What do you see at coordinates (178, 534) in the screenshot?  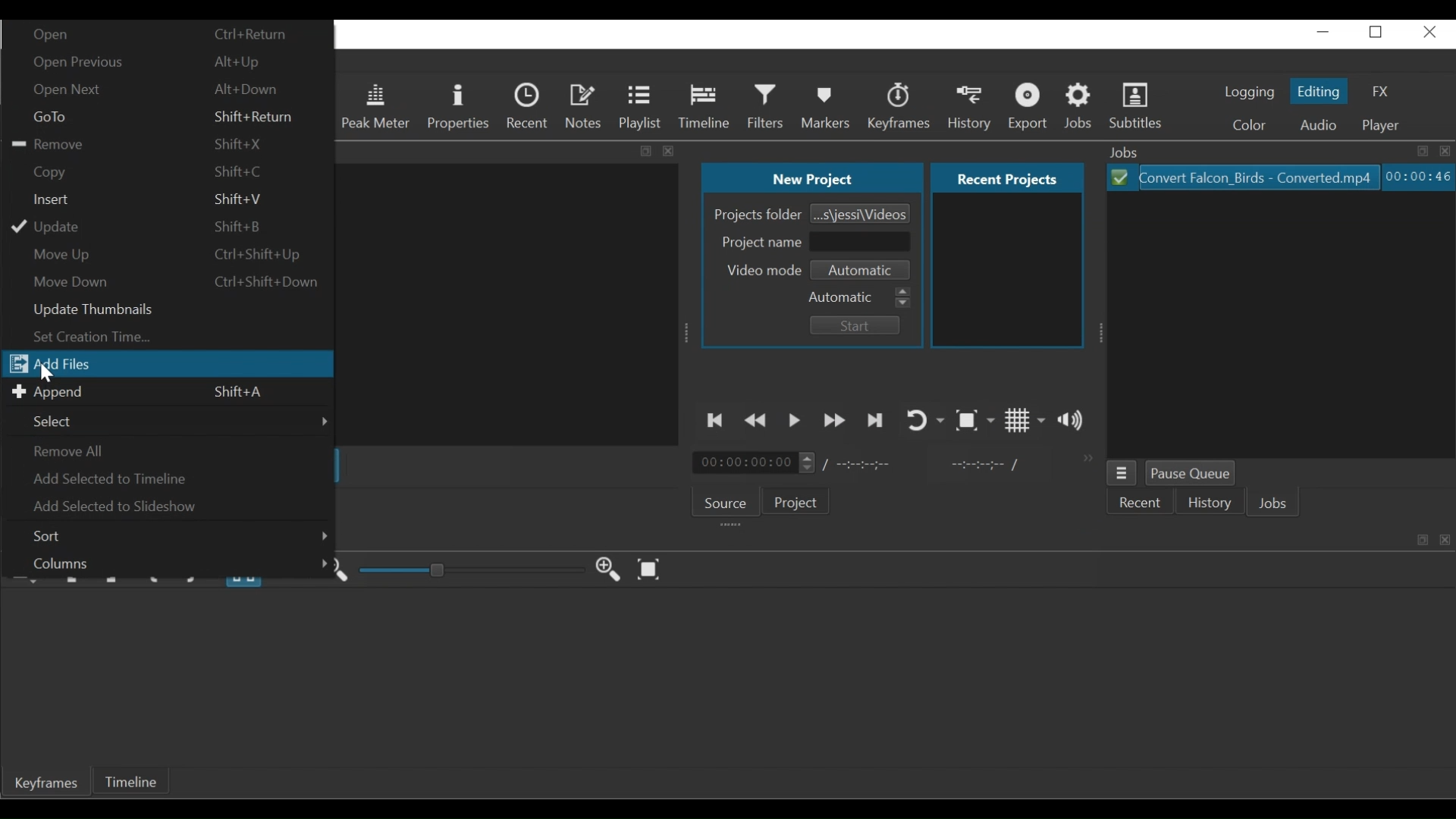 I see `Sort` at bounding box center [178, 534].